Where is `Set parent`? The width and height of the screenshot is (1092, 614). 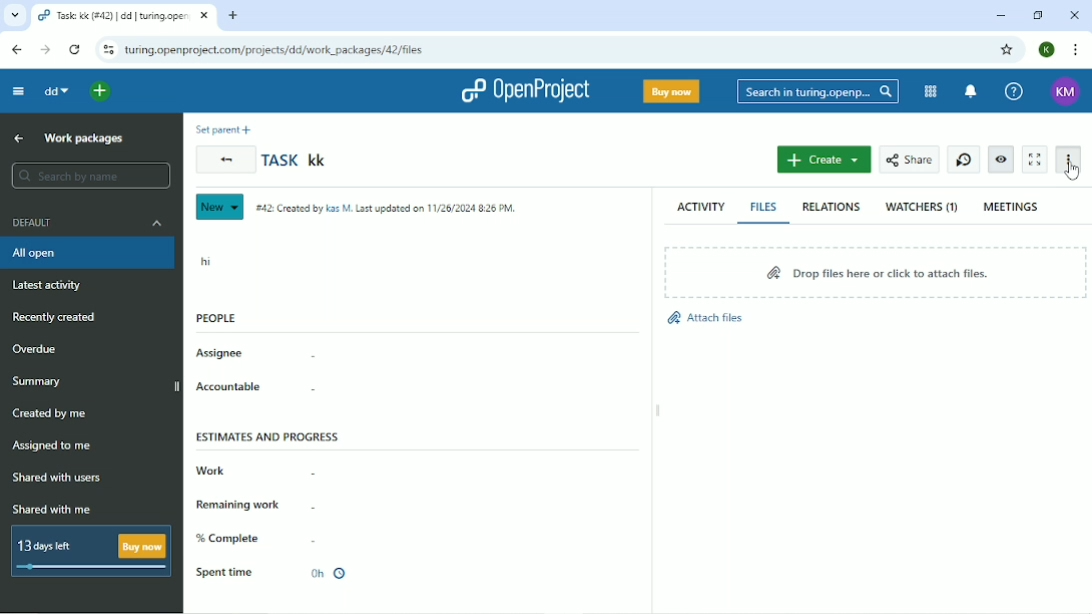 Set parent is located at coordinates (225, 128).